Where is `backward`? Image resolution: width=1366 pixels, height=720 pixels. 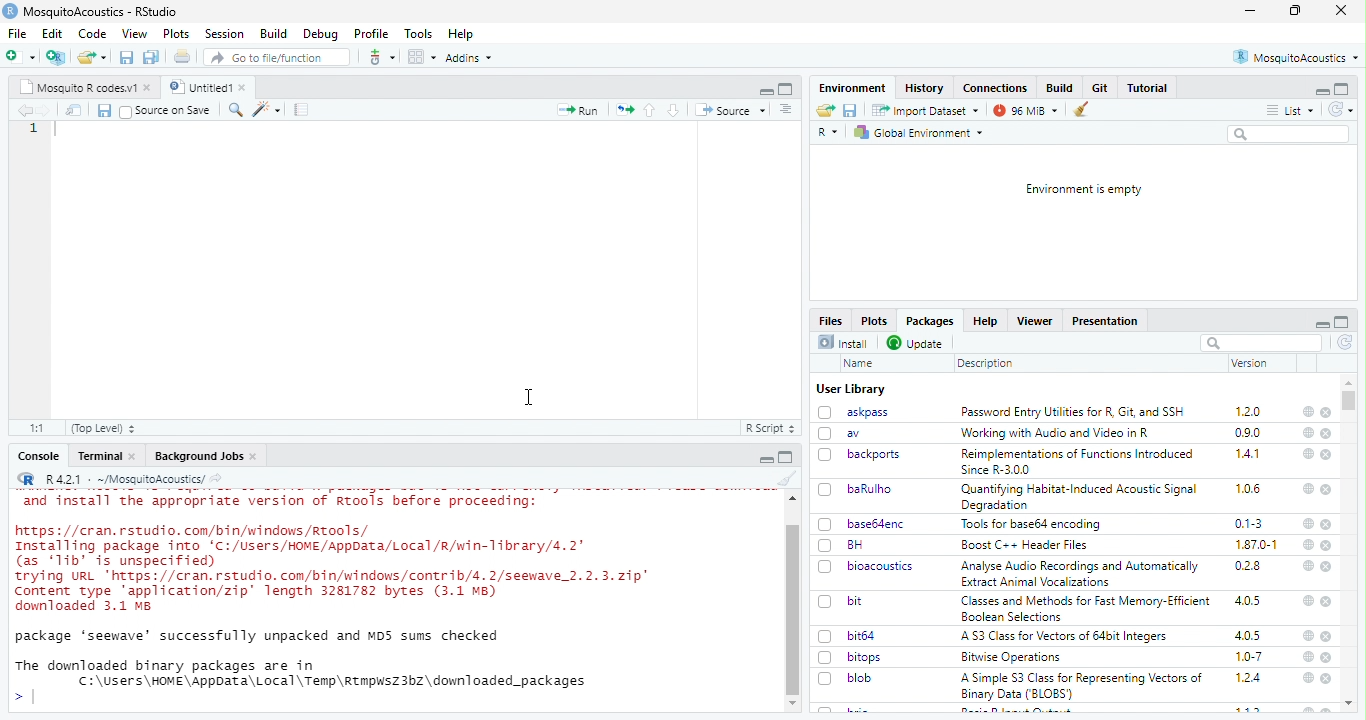
backward is located at coordinates (24, 110).